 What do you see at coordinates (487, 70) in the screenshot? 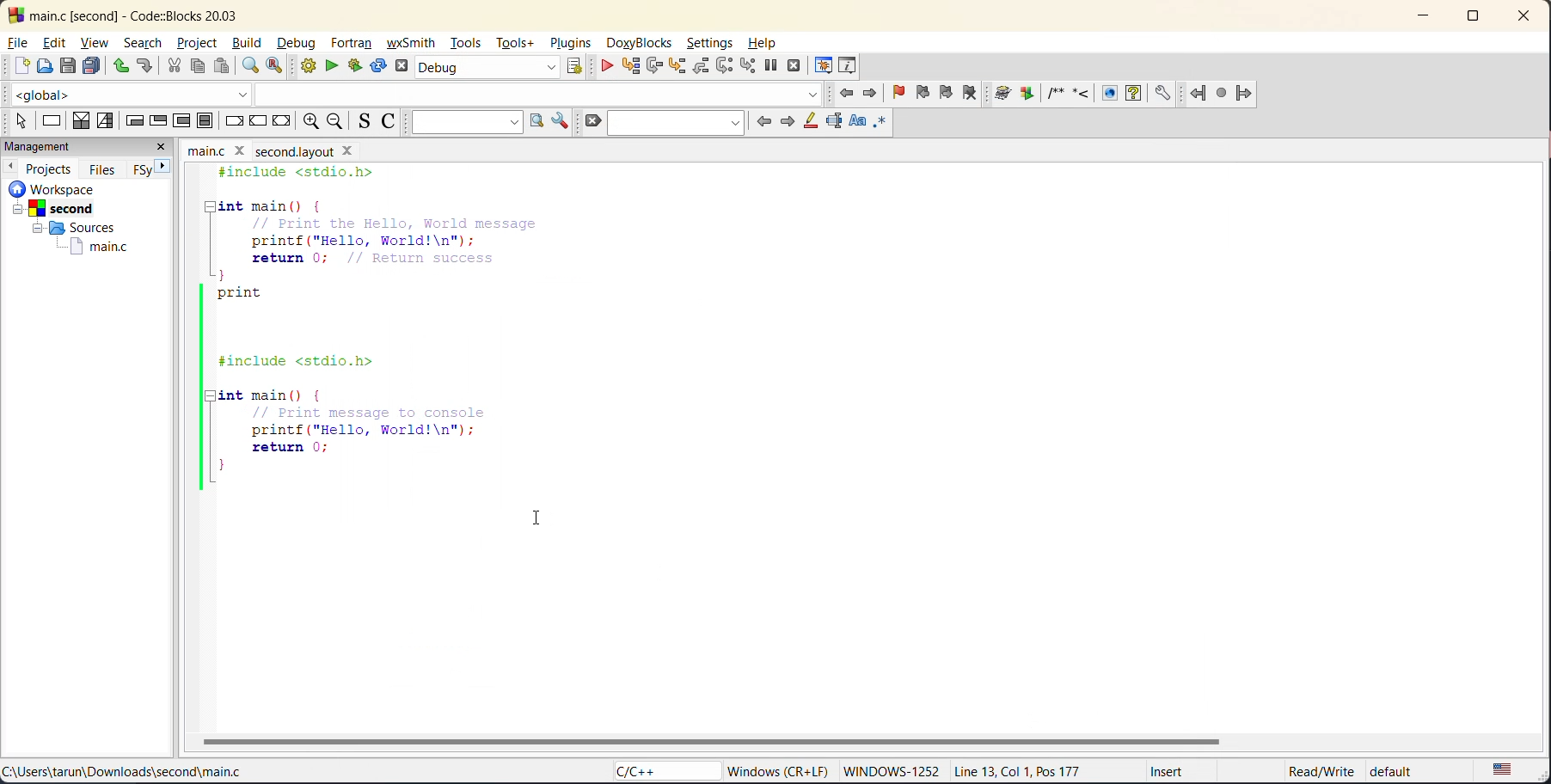
I see `build target` at bounding box center [487, 70].